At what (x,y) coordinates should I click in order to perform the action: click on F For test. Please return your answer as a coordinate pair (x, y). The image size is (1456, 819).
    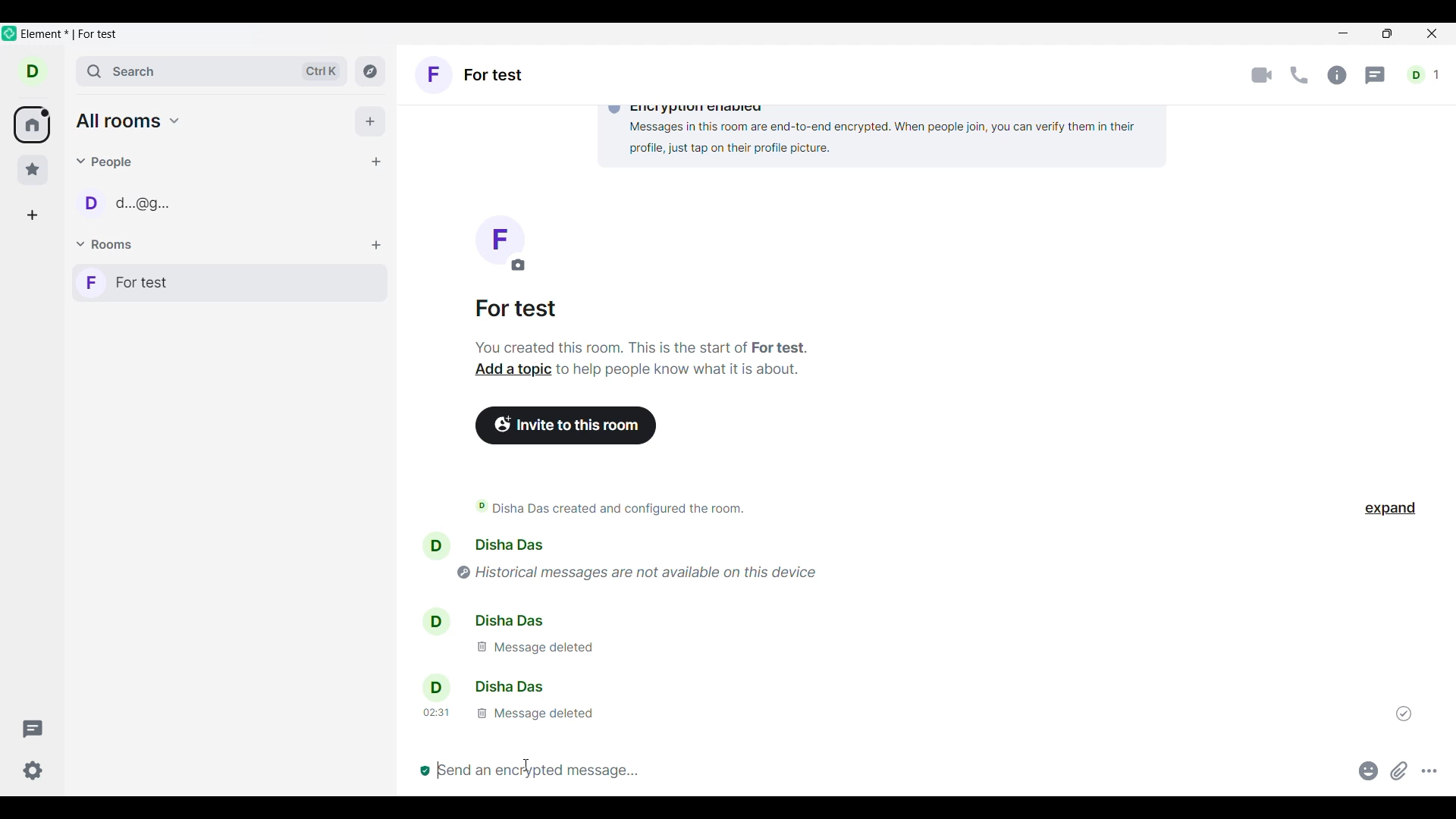
    Looking at the image, I should click on (221, 284).